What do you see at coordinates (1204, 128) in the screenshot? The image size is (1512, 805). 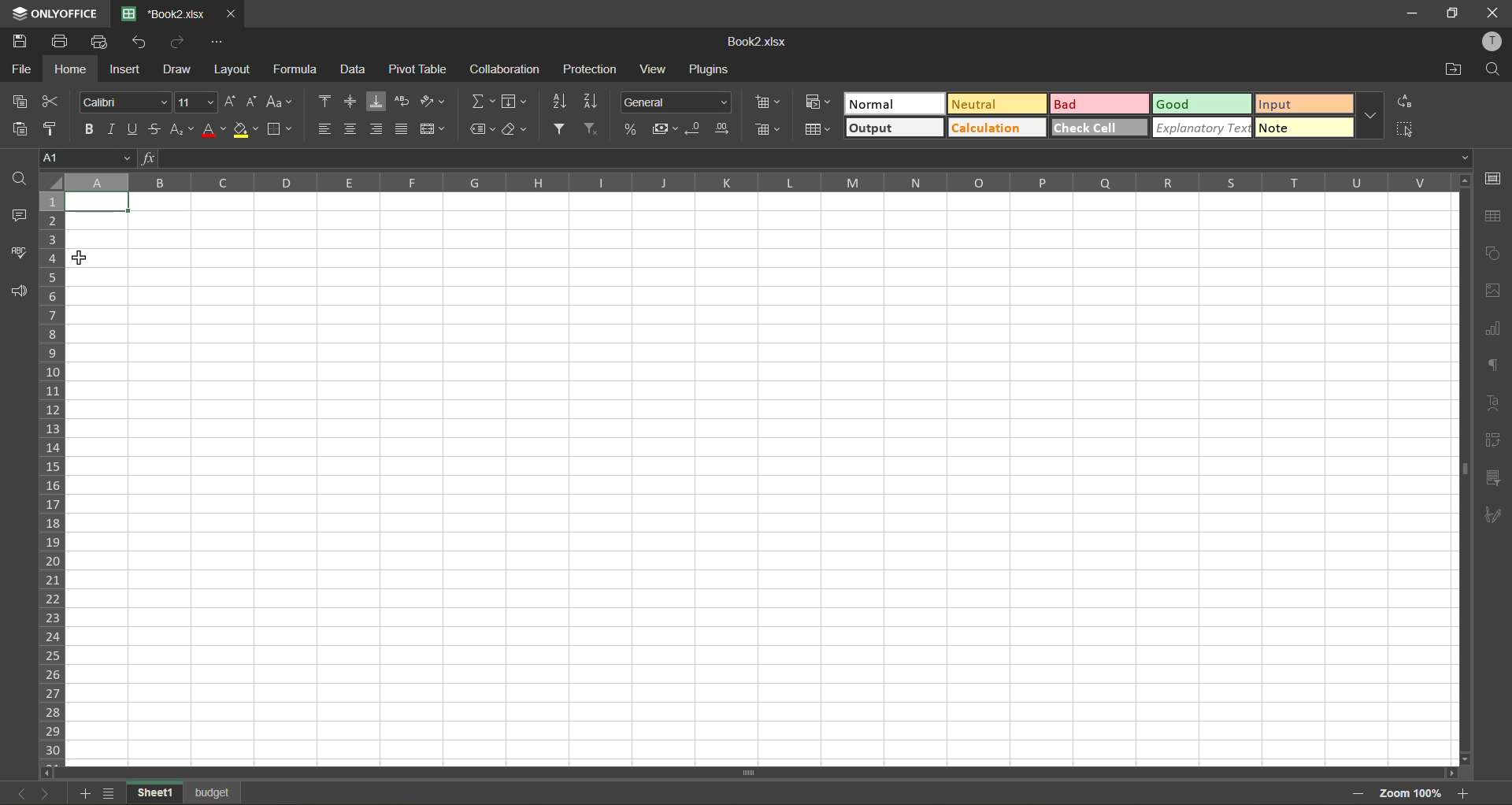 I see `explanatory text` at bounding box center [1204, 128].